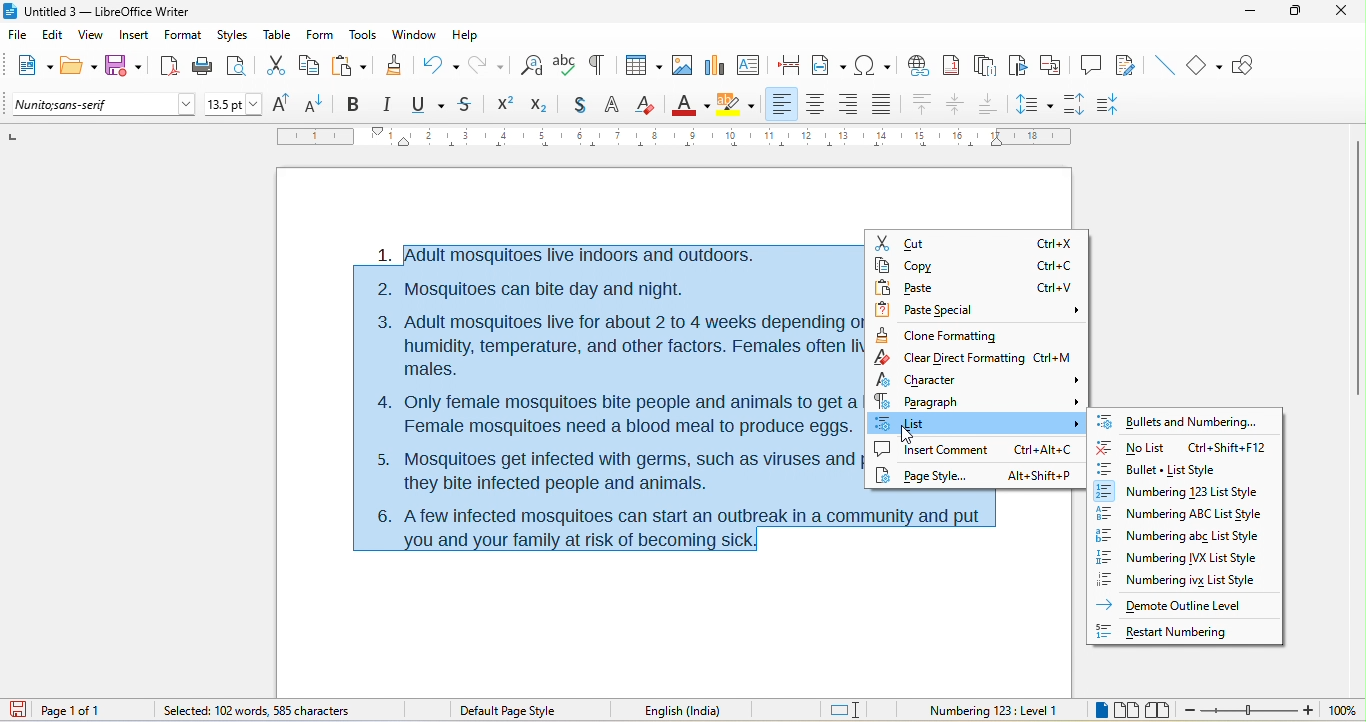 This screenshot has height=722, width=1366. What do you see at coordinates (168, 66) in the screenshot?
I see `export directly as pdf` at bounding box center [168, 66].